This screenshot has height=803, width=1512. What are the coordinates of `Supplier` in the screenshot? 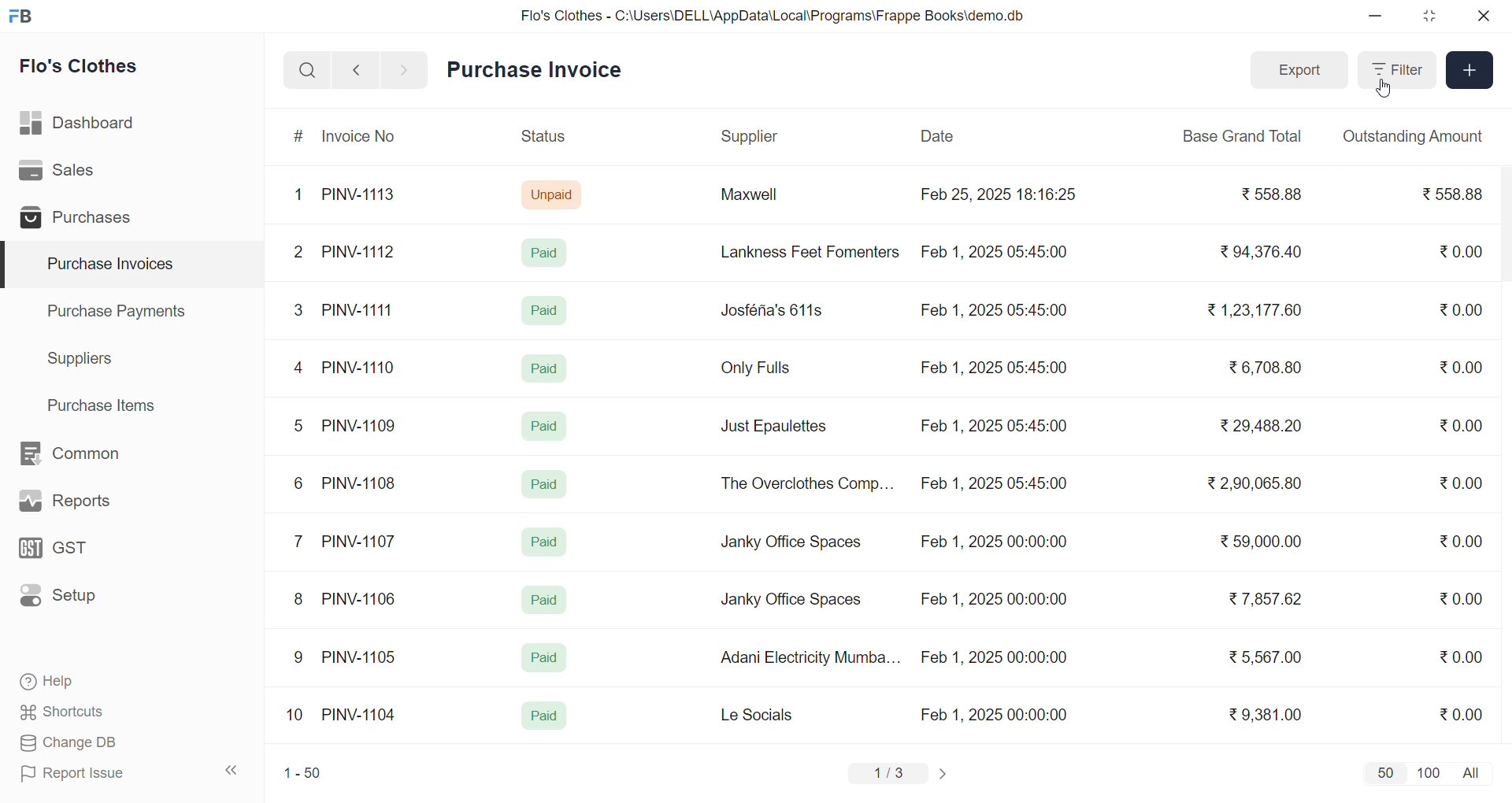 It's located at (752, 137).